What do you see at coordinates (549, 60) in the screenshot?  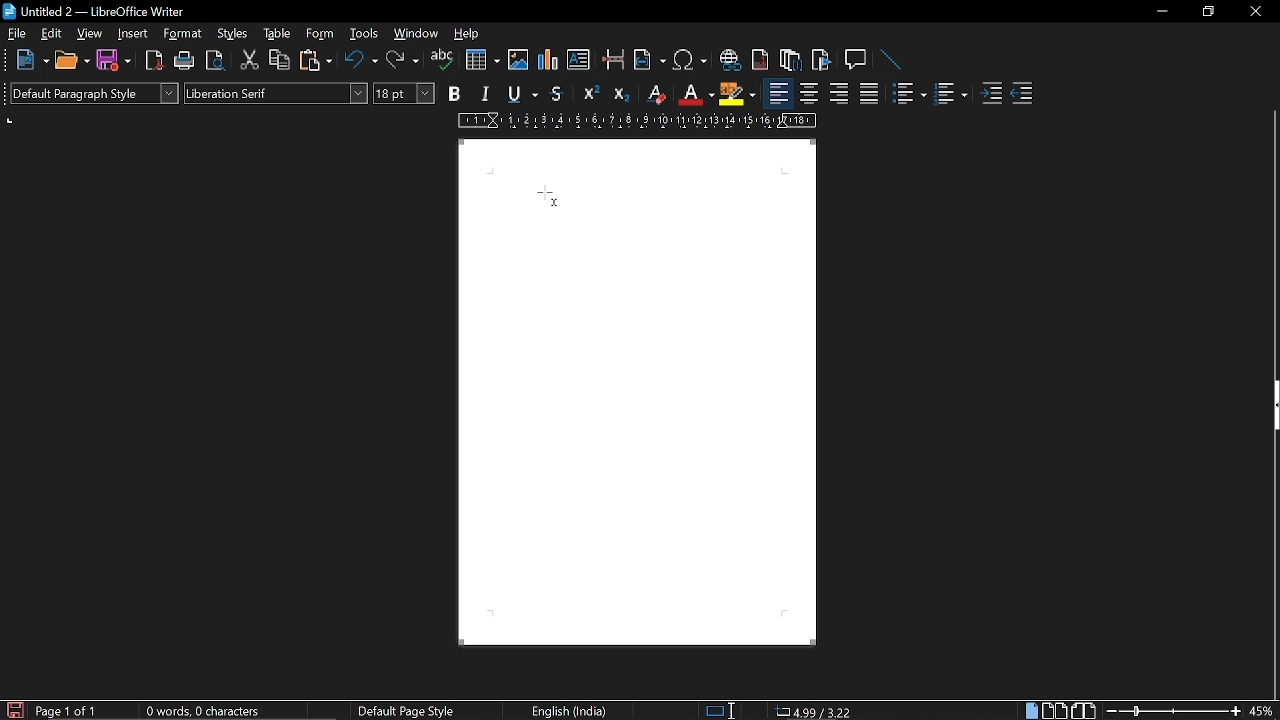 I see `insert chart` at bounding box center [549, 60].